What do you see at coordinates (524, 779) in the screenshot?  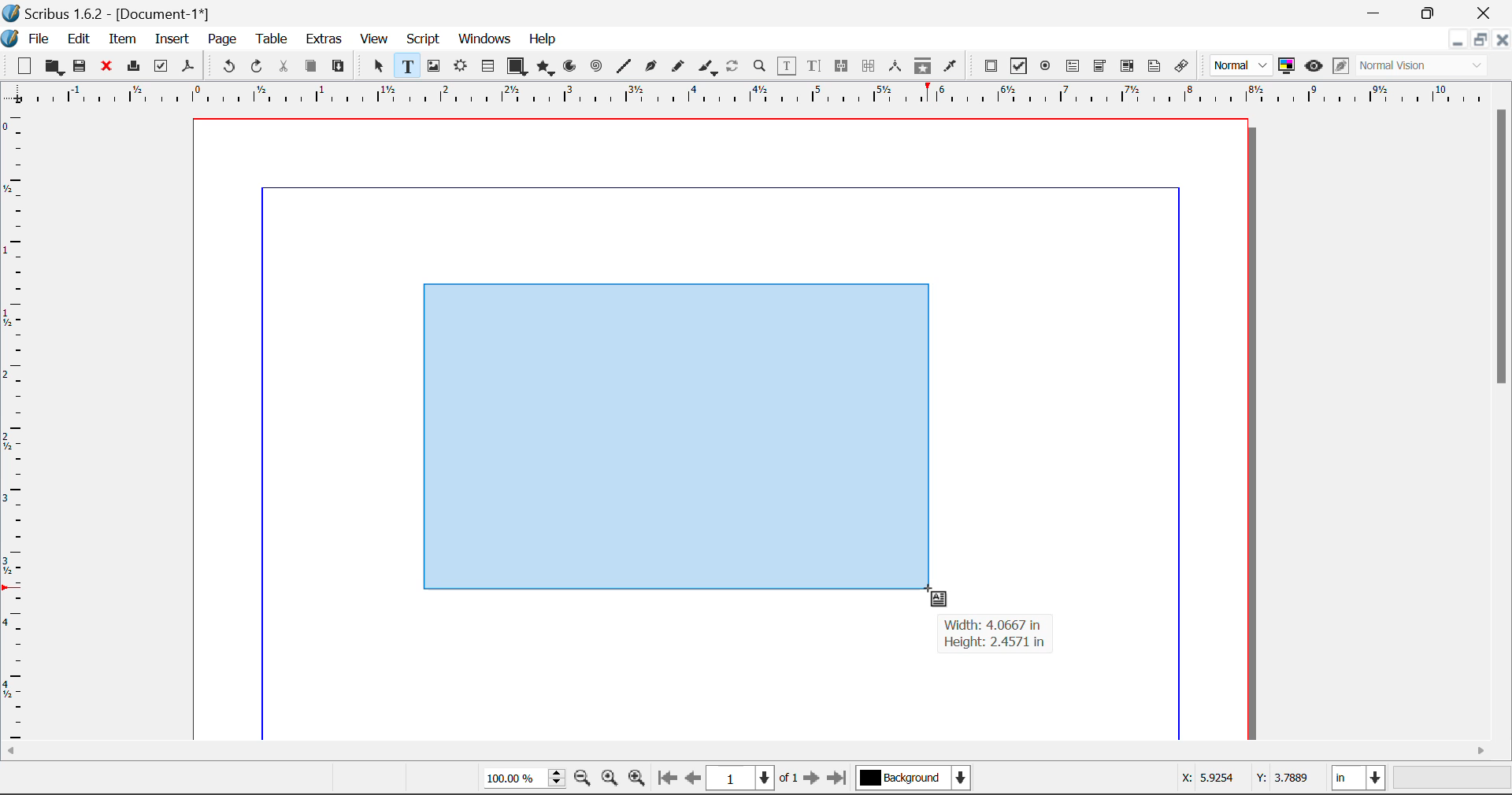 I see `Zoom 100%` at bounding box center [524, 779].